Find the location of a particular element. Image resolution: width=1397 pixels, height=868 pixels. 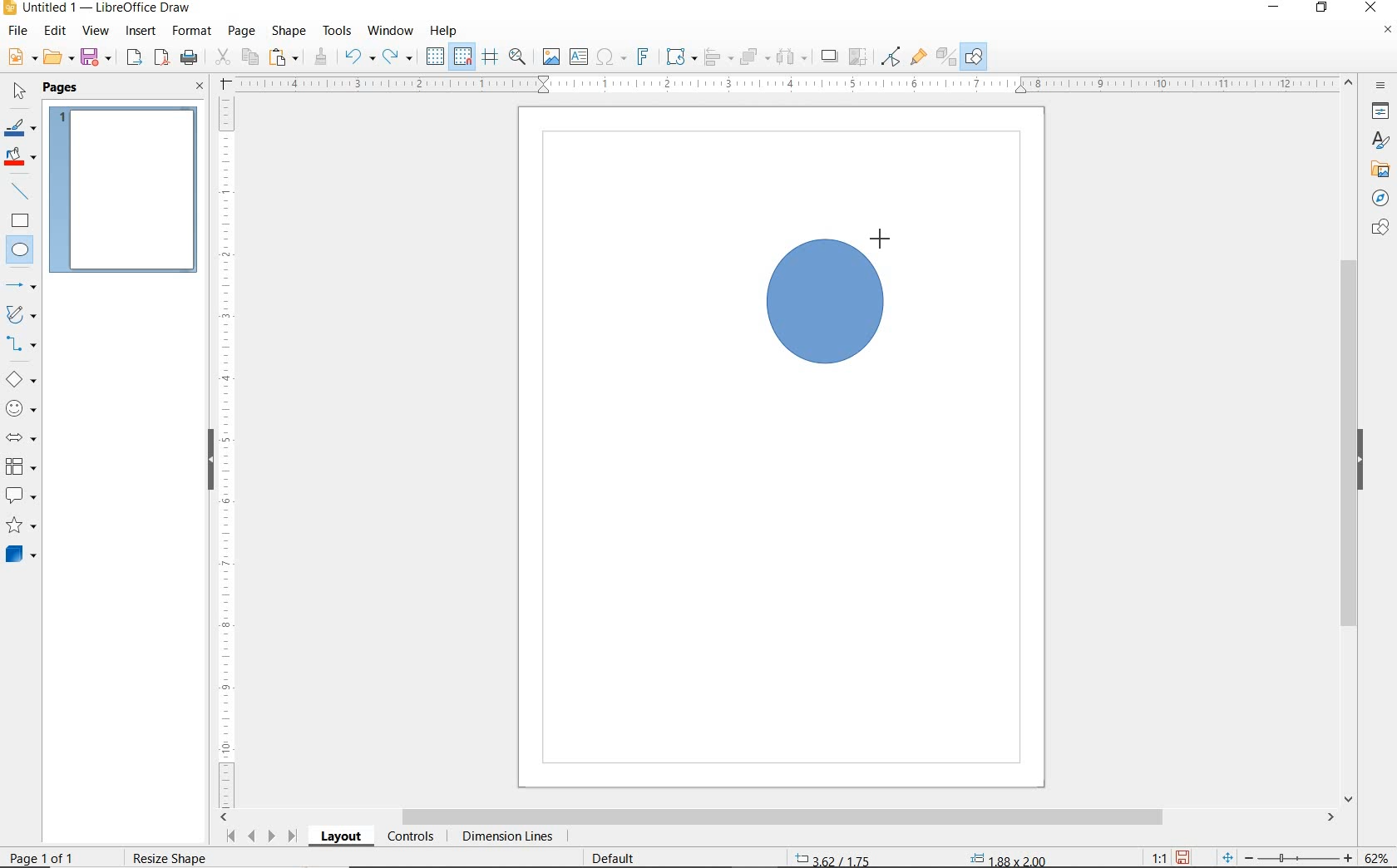

SIDEBAR SETTINGS is located at coordinates (1381, 86).